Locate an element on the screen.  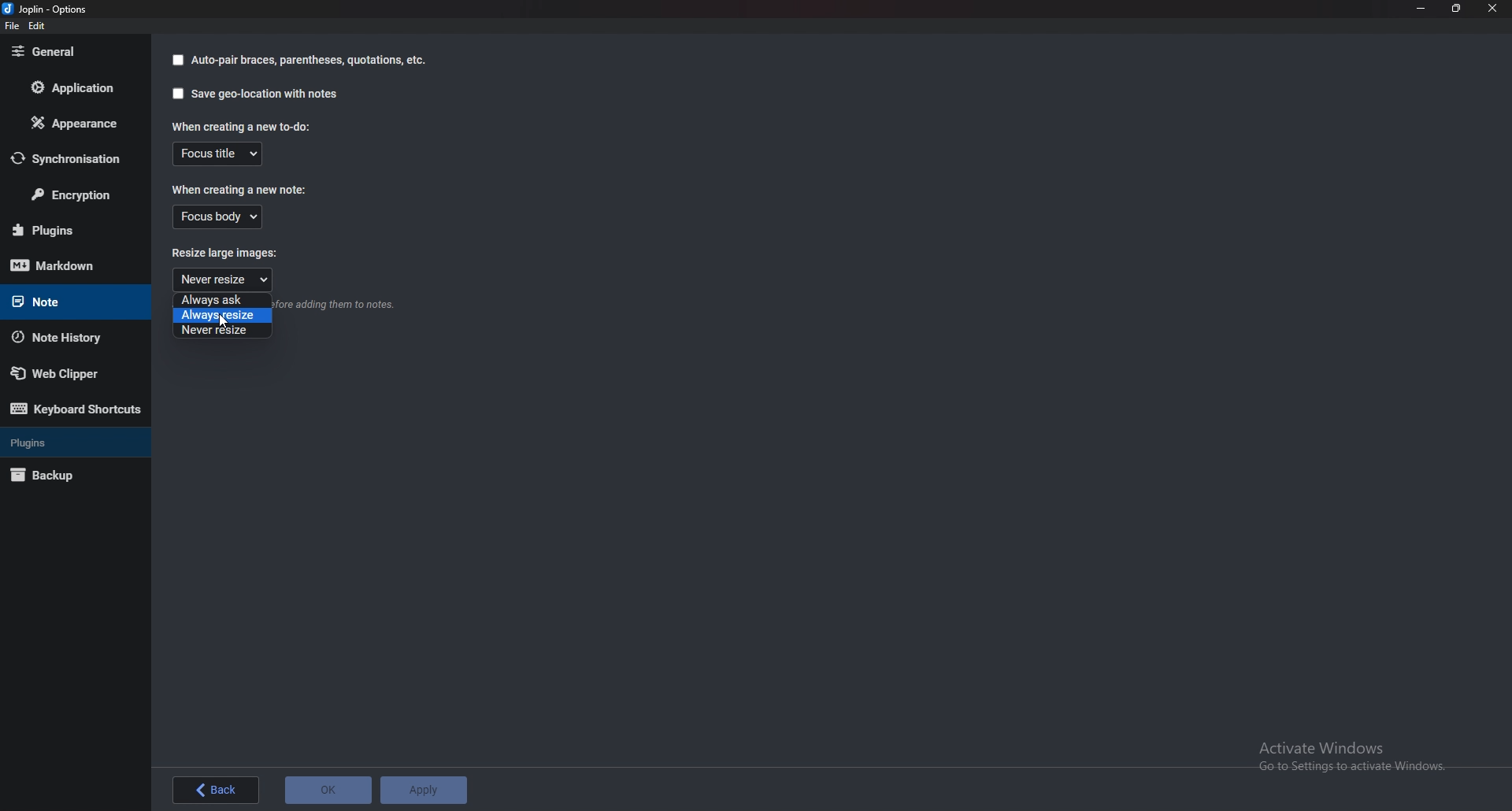
ok is located at coordinates (328, 791).